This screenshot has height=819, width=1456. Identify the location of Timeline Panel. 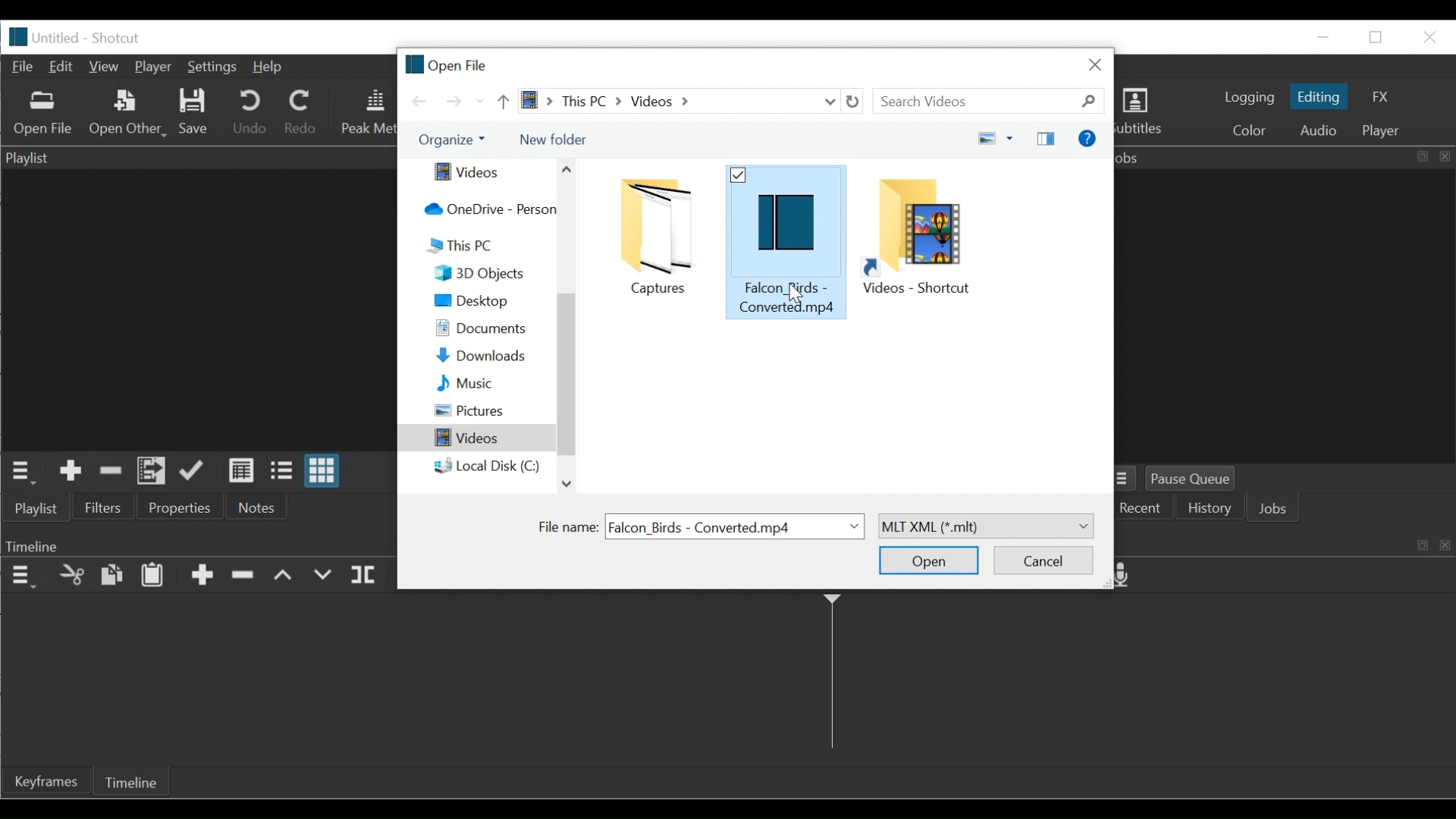
(199, 544).